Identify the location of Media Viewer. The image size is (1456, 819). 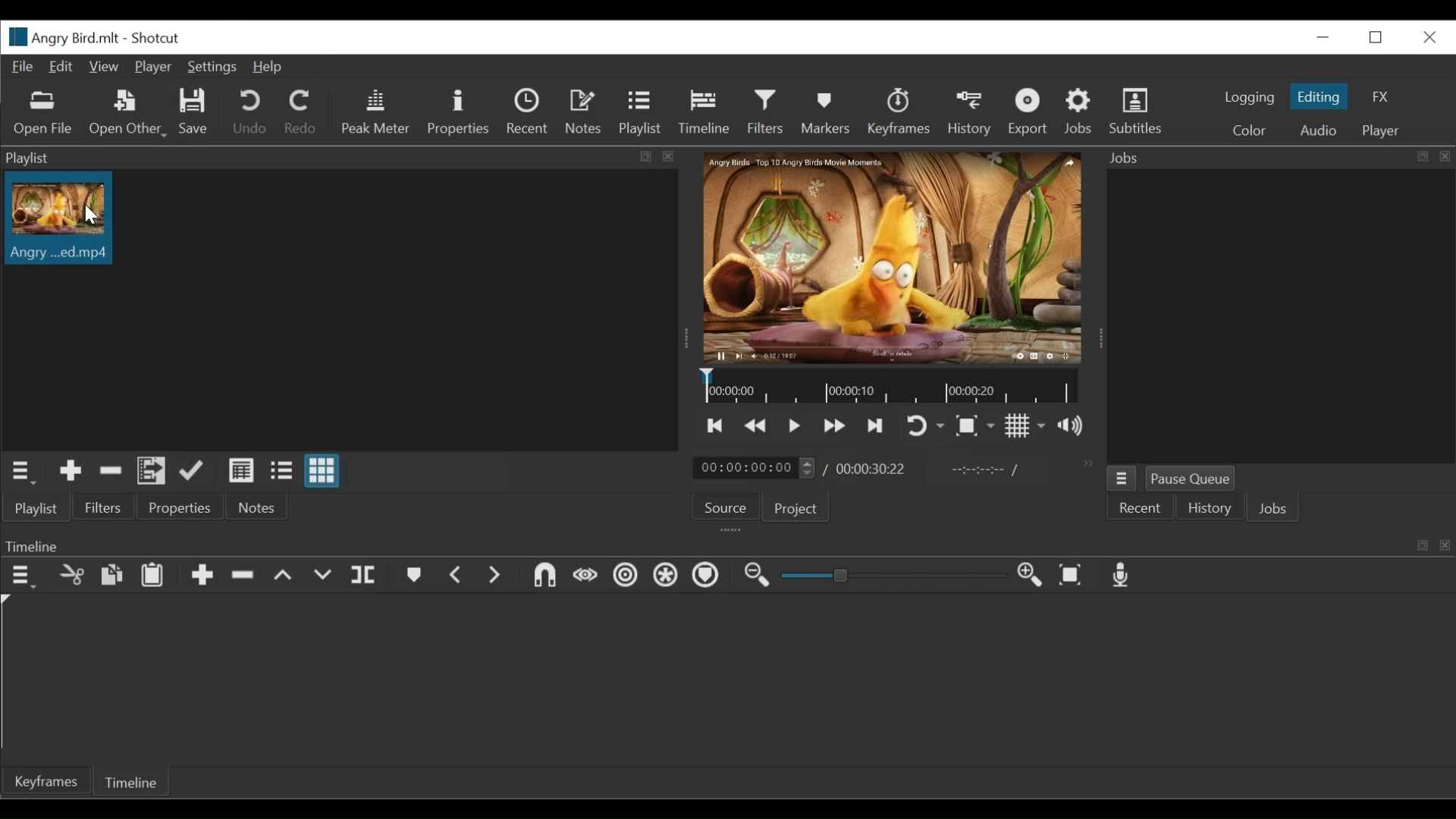
(894, 257).